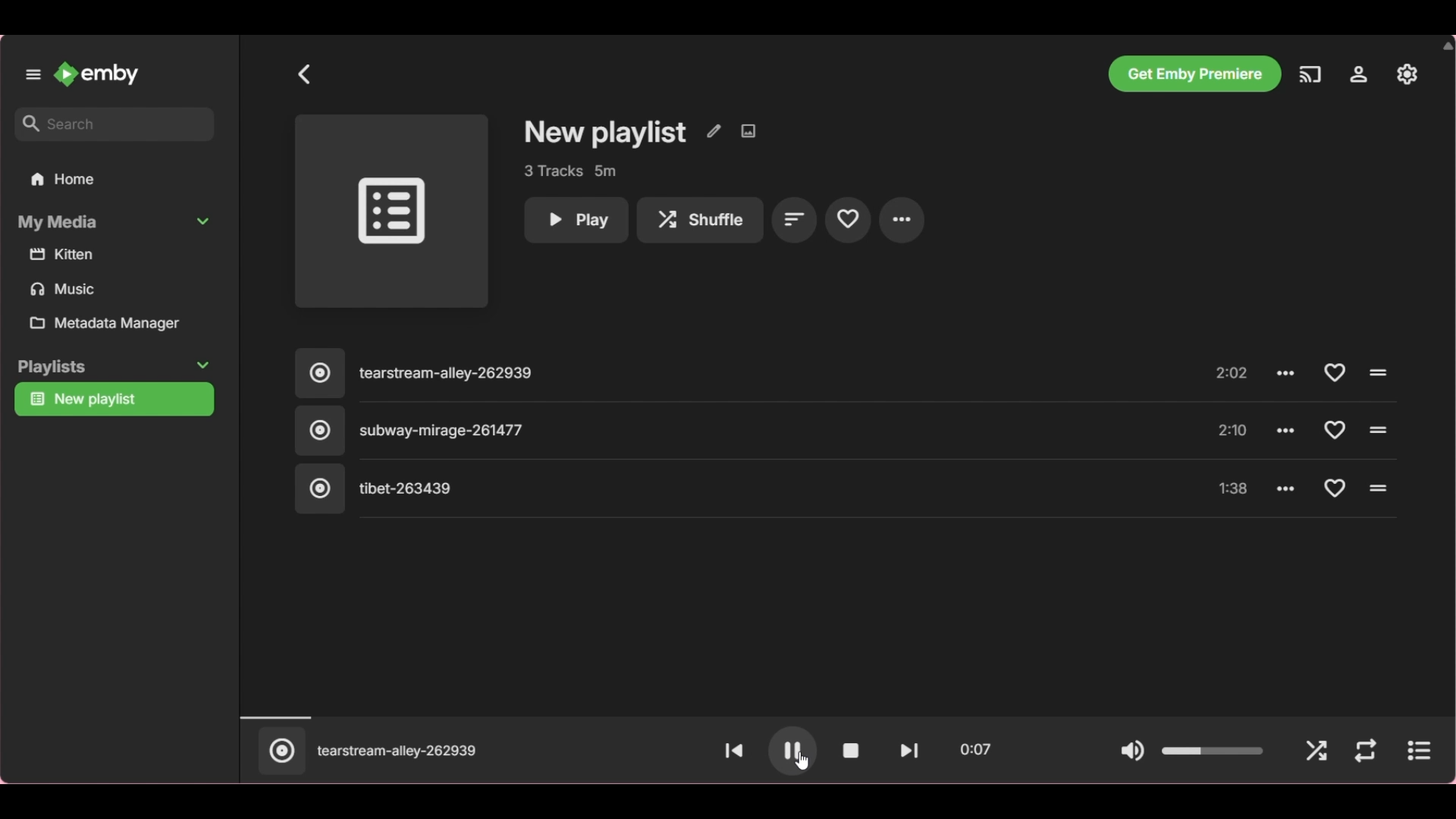  Describe the element at coordinates (115, 222) in the screenshot. I see `Collapse My Media` at that location.